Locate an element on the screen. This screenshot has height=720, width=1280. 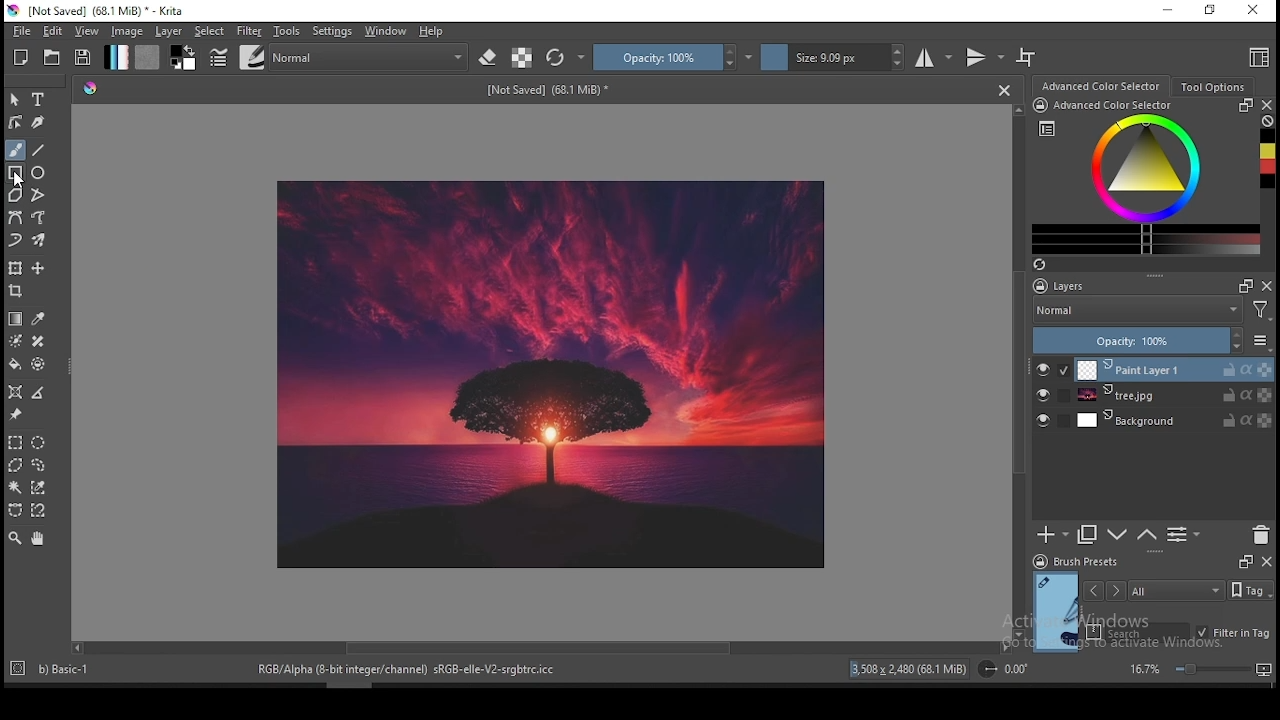
close docker is located at coordinates (1268, 105).